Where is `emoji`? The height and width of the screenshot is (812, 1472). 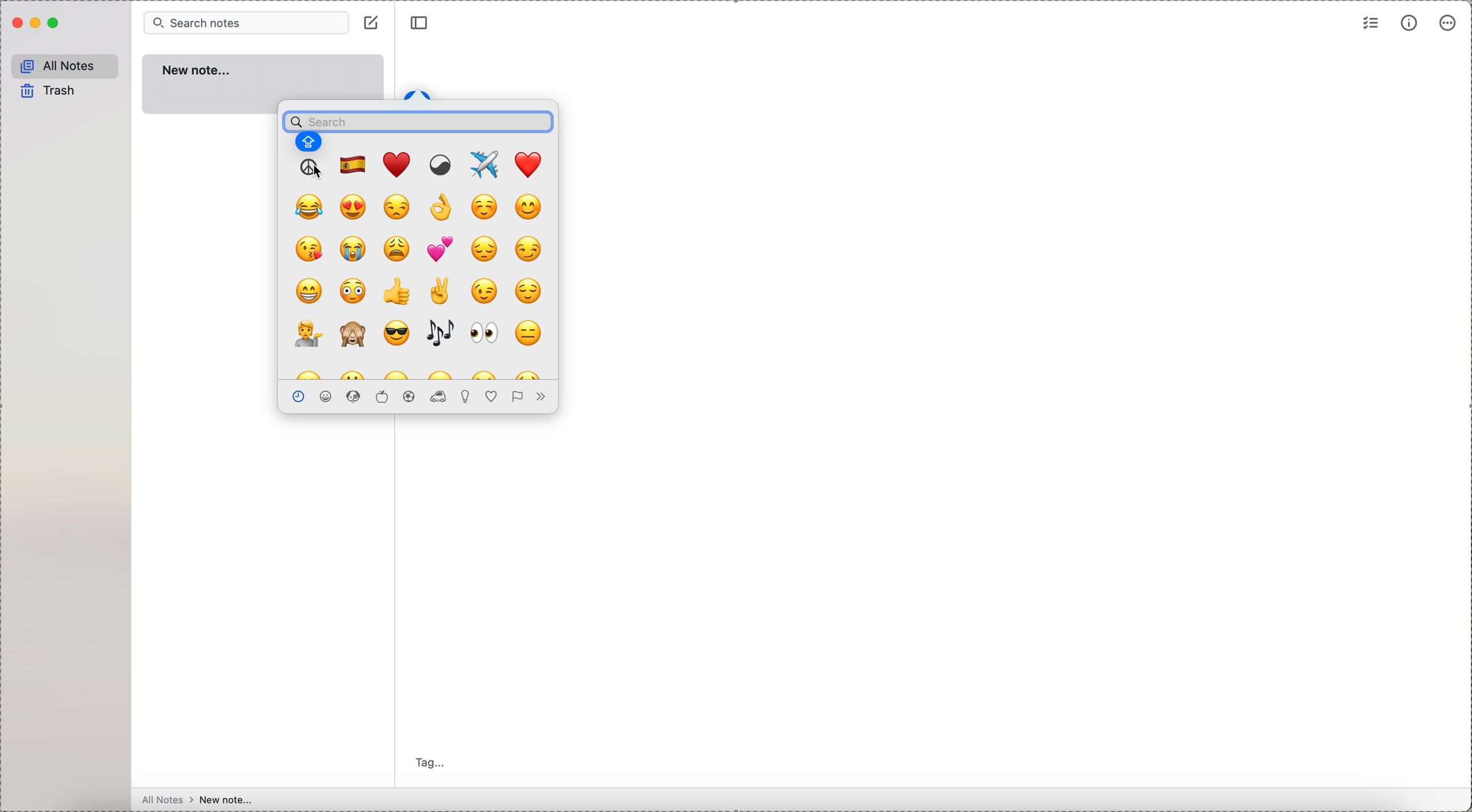
emoji is located at coordinates (354, 336).